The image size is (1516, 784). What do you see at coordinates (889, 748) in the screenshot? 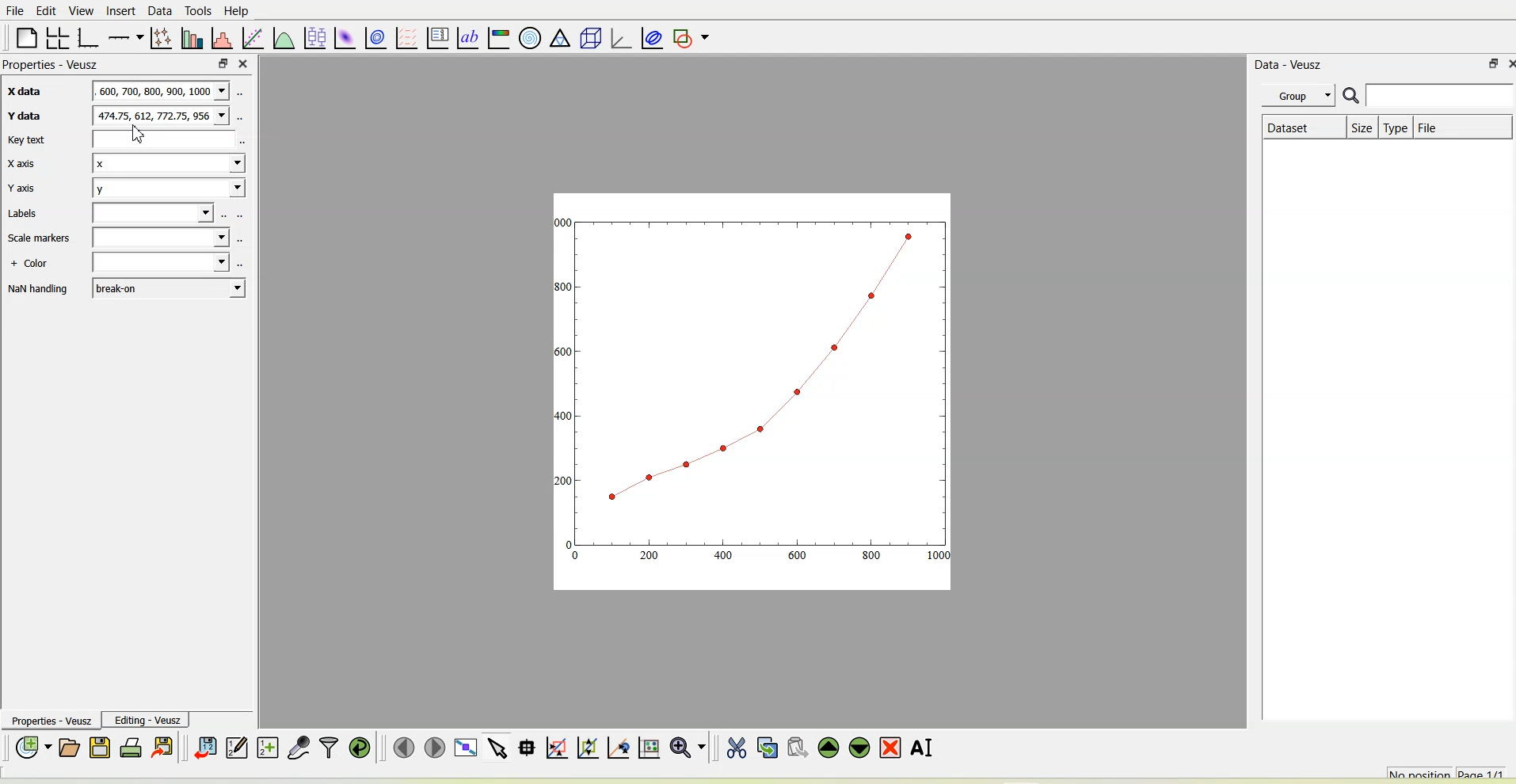
I see `Remove the selected widget` at bounding box center [889, 748].